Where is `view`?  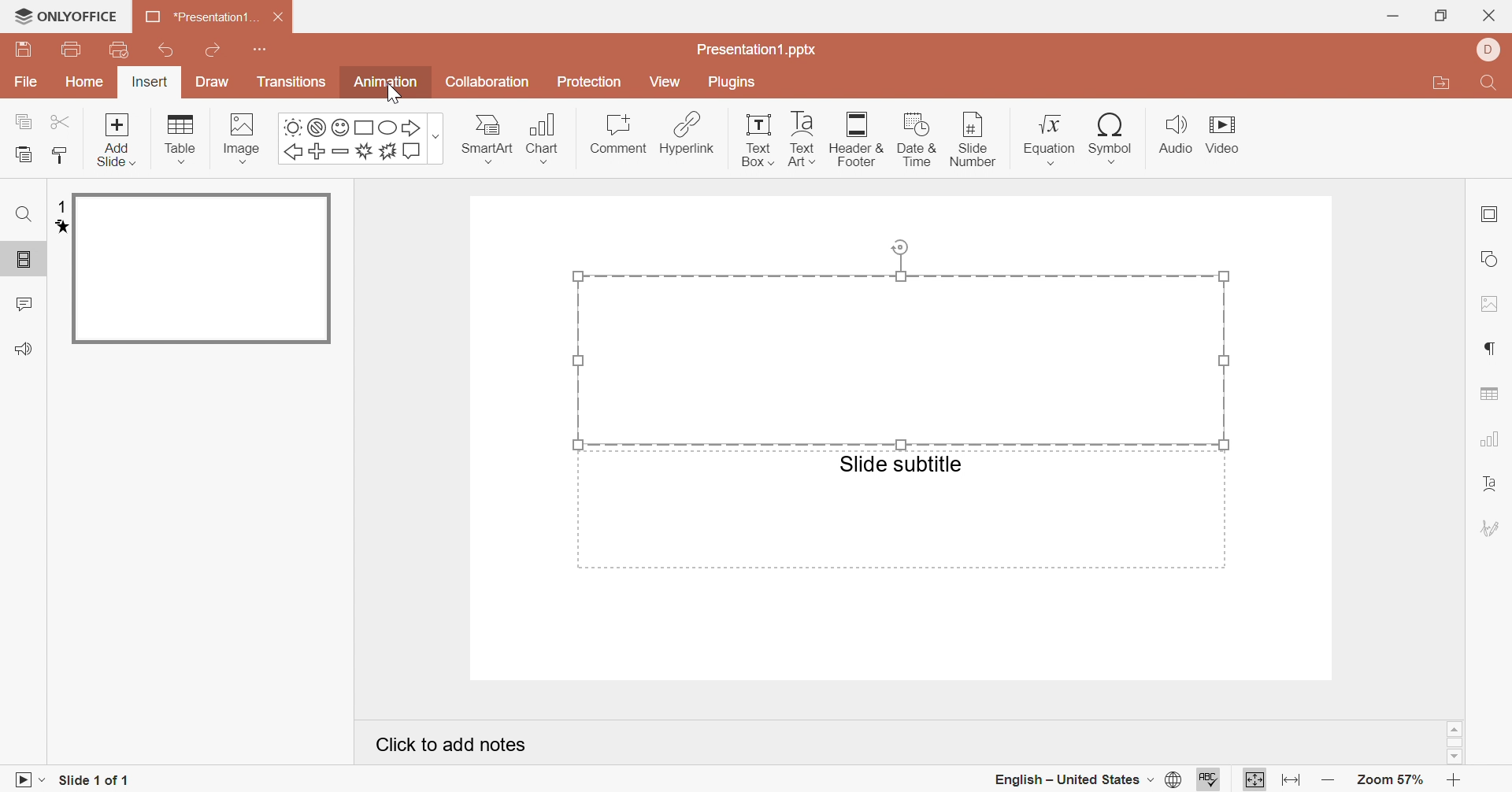
view is located at coordinates (665, 81).